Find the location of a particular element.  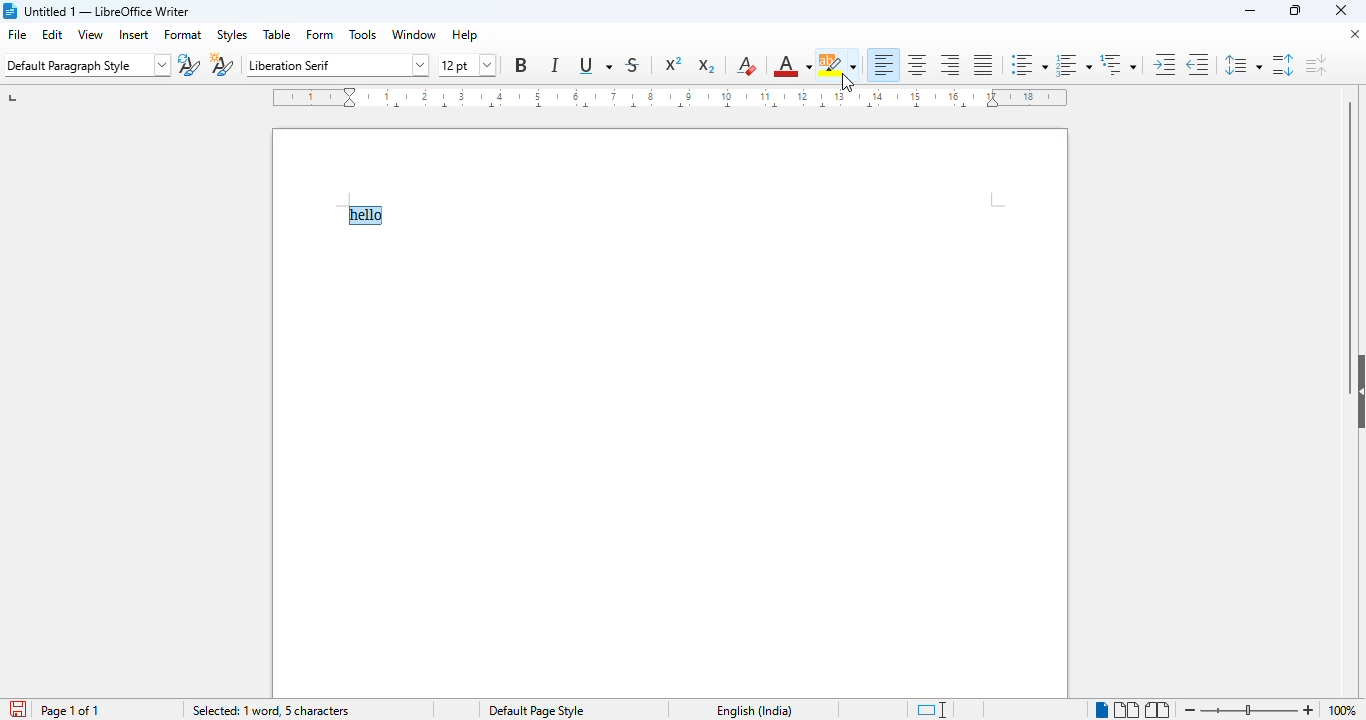

styles is located at coordinates (233, 36).